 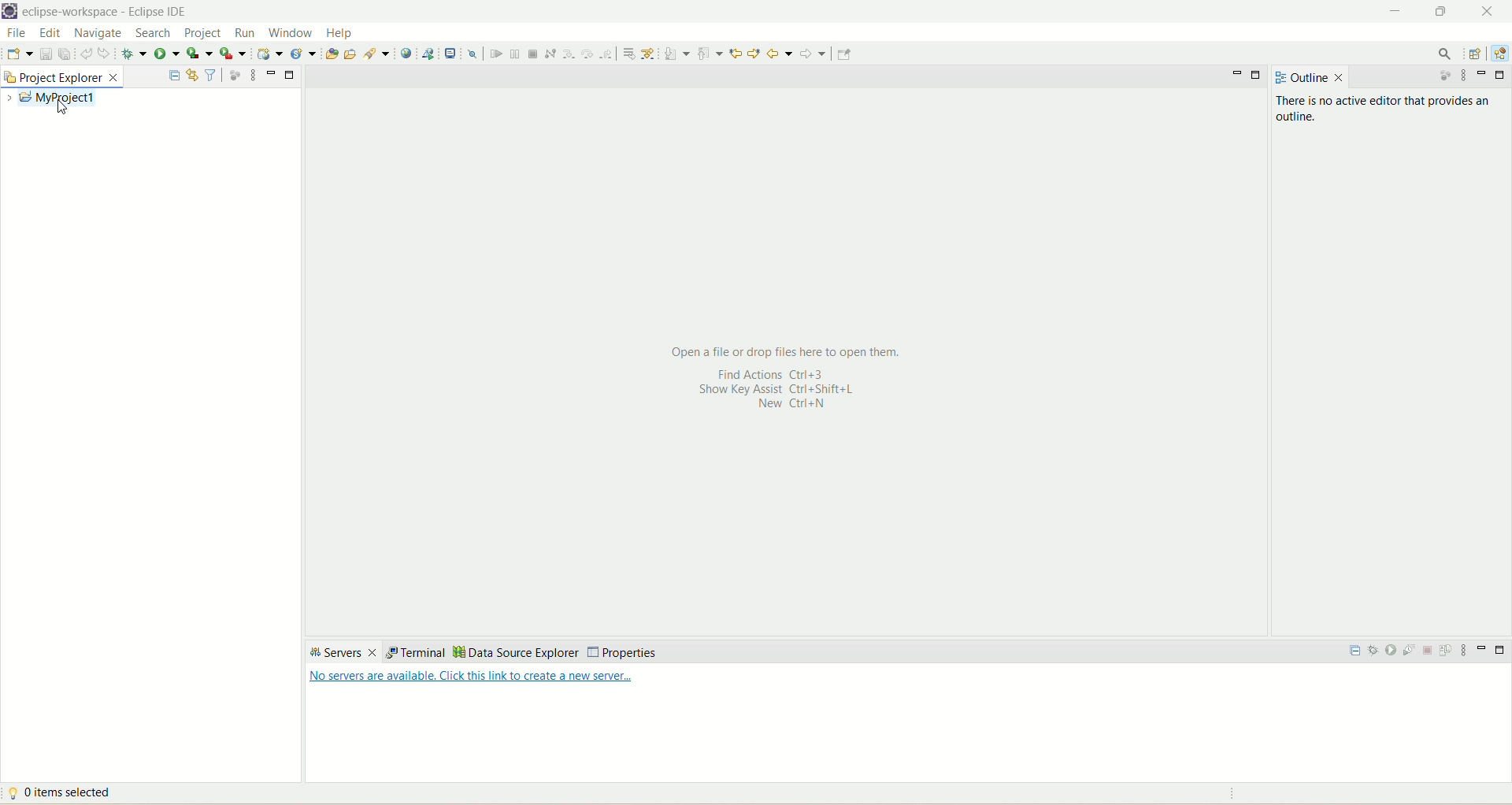 I want to click on run, so click(x=169, y=54).